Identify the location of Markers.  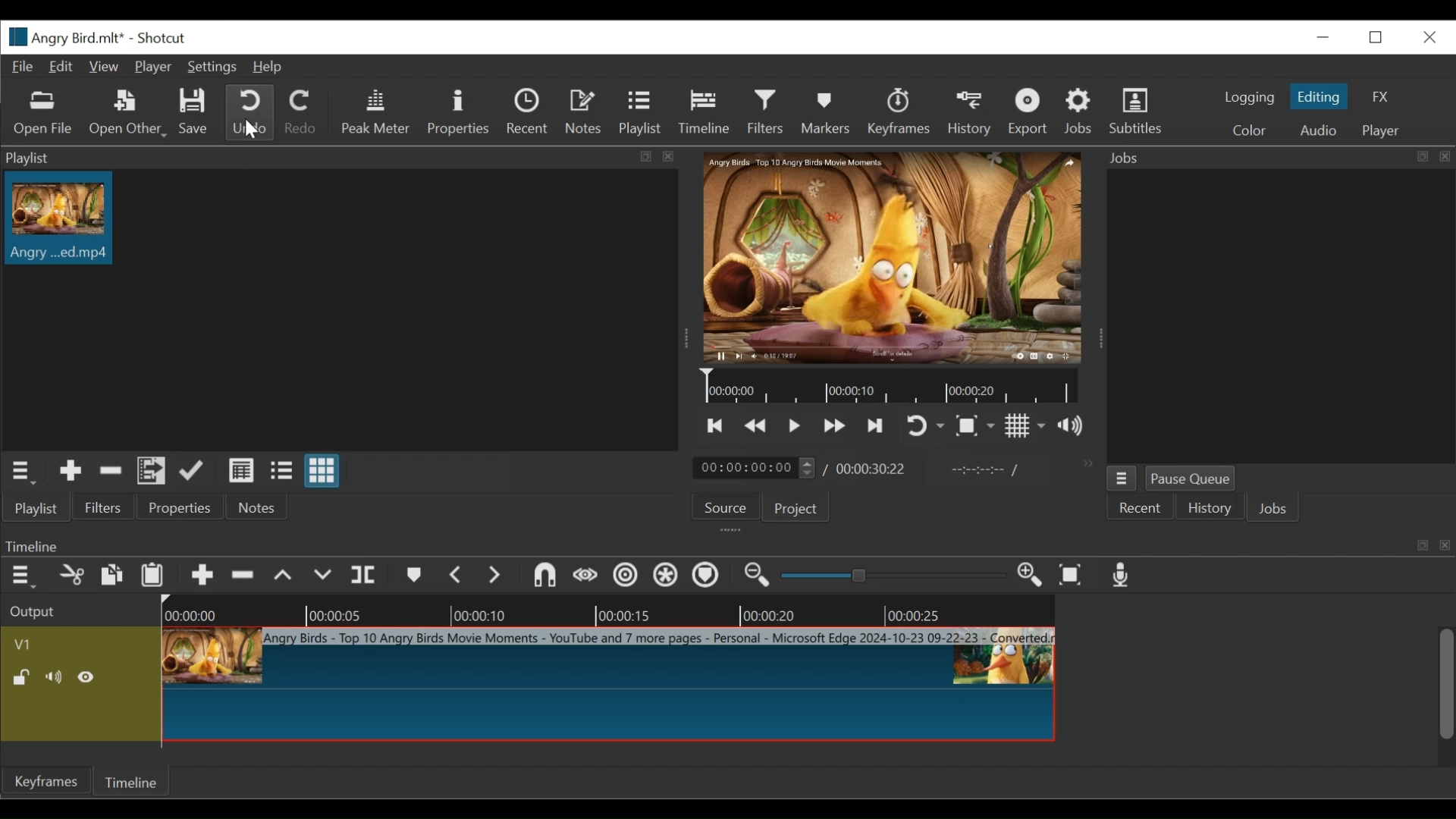
(826, 110).